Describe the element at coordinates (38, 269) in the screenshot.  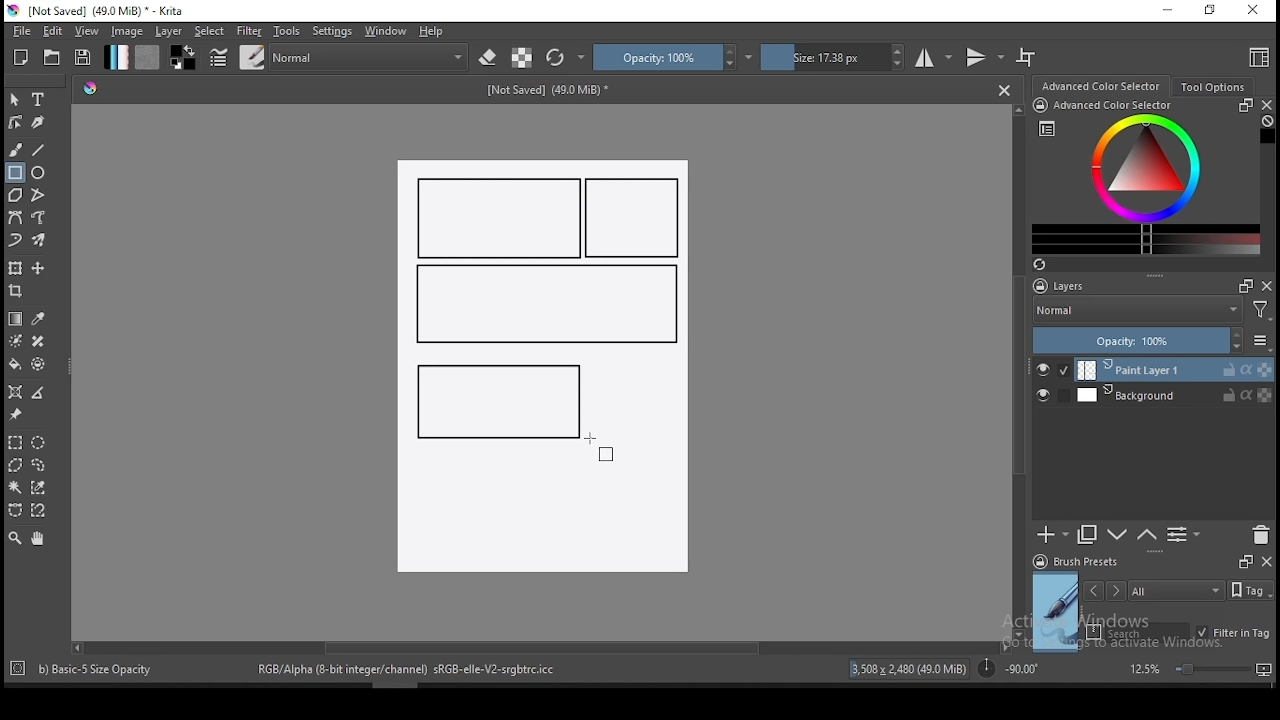
I see `move a layer` at that location.